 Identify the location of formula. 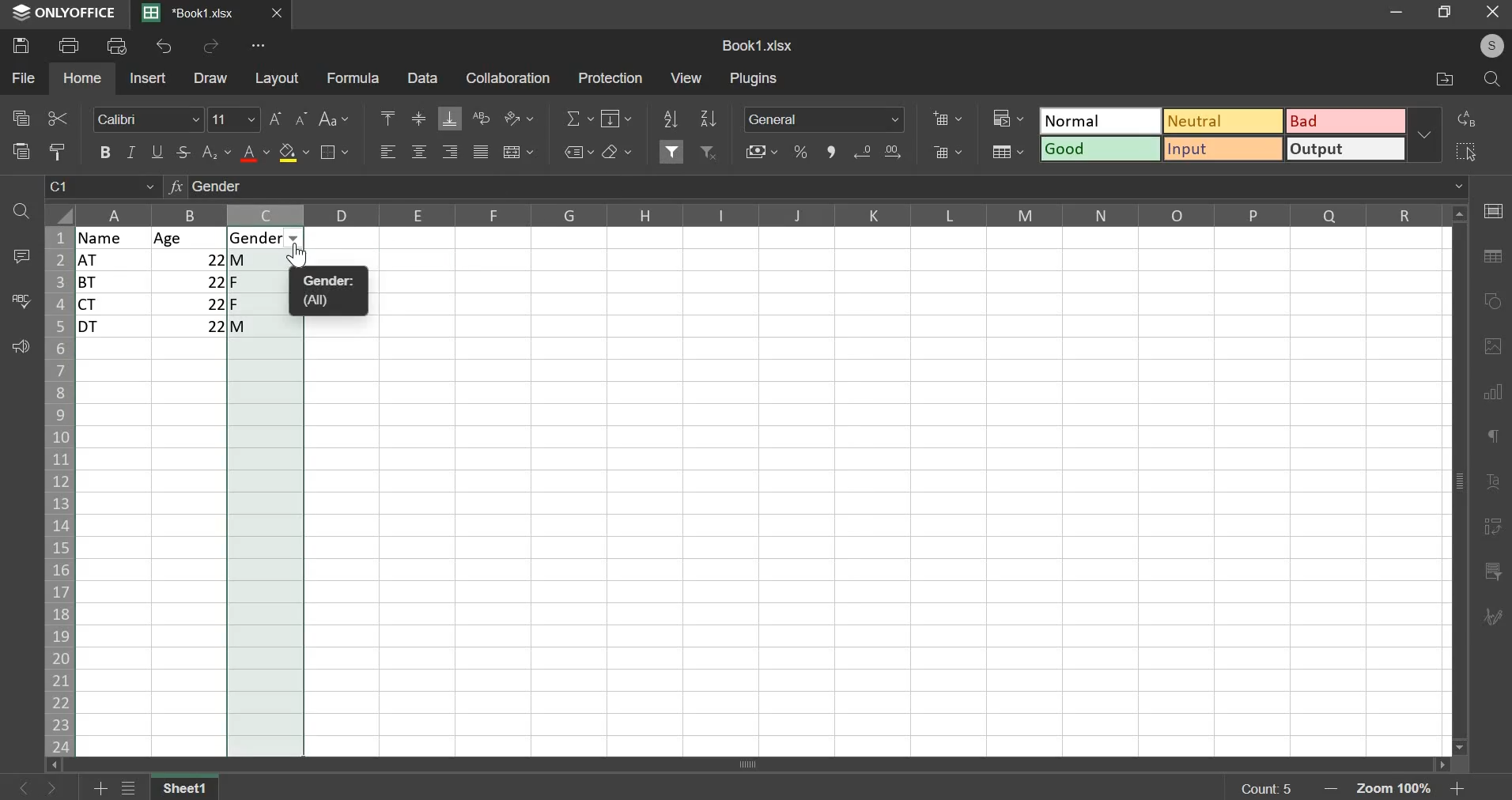
(352, 77).